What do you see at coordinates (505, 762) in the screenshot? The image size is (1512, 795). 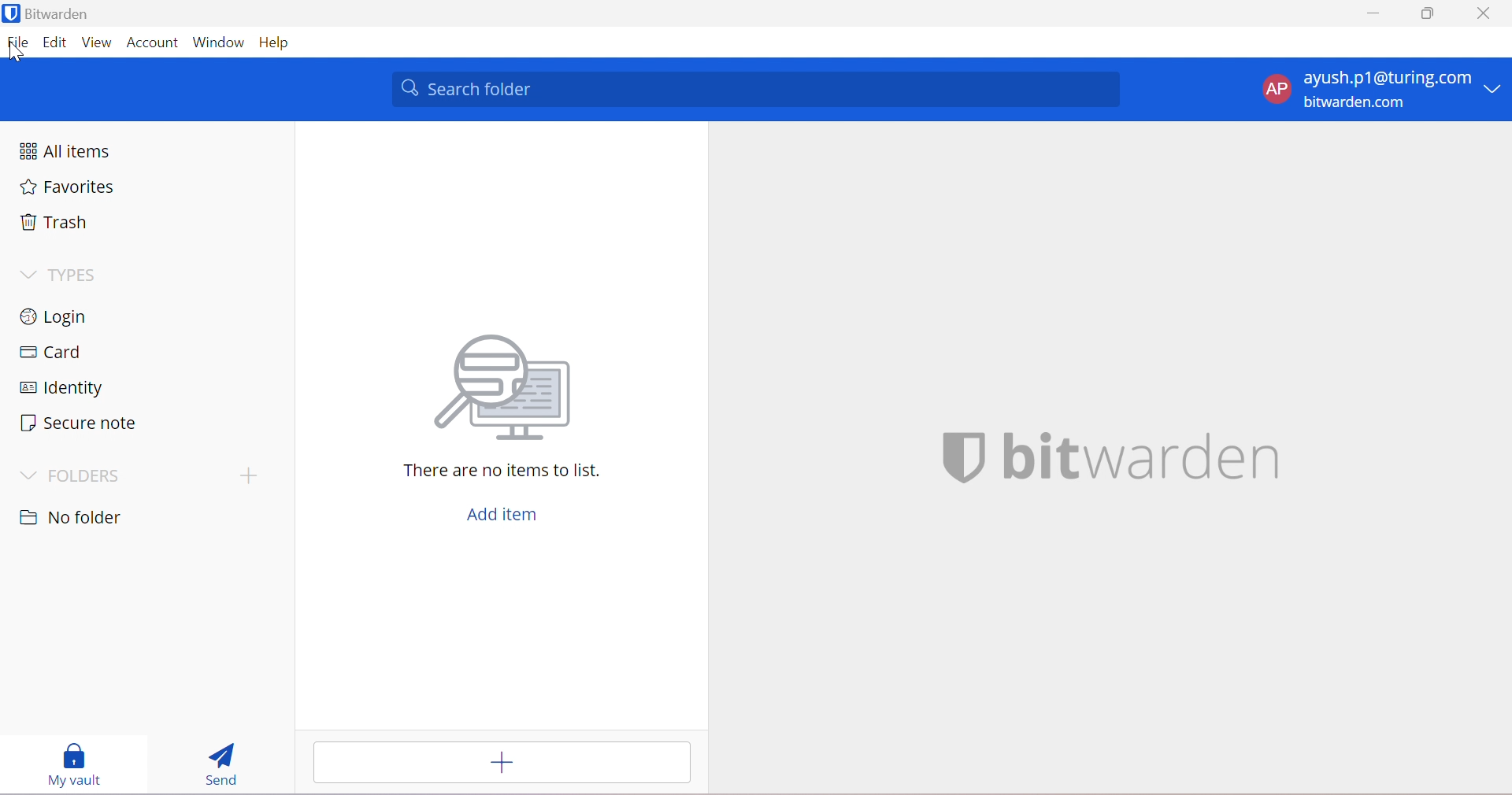 I see `Add item` at bounding box center [505, 762].